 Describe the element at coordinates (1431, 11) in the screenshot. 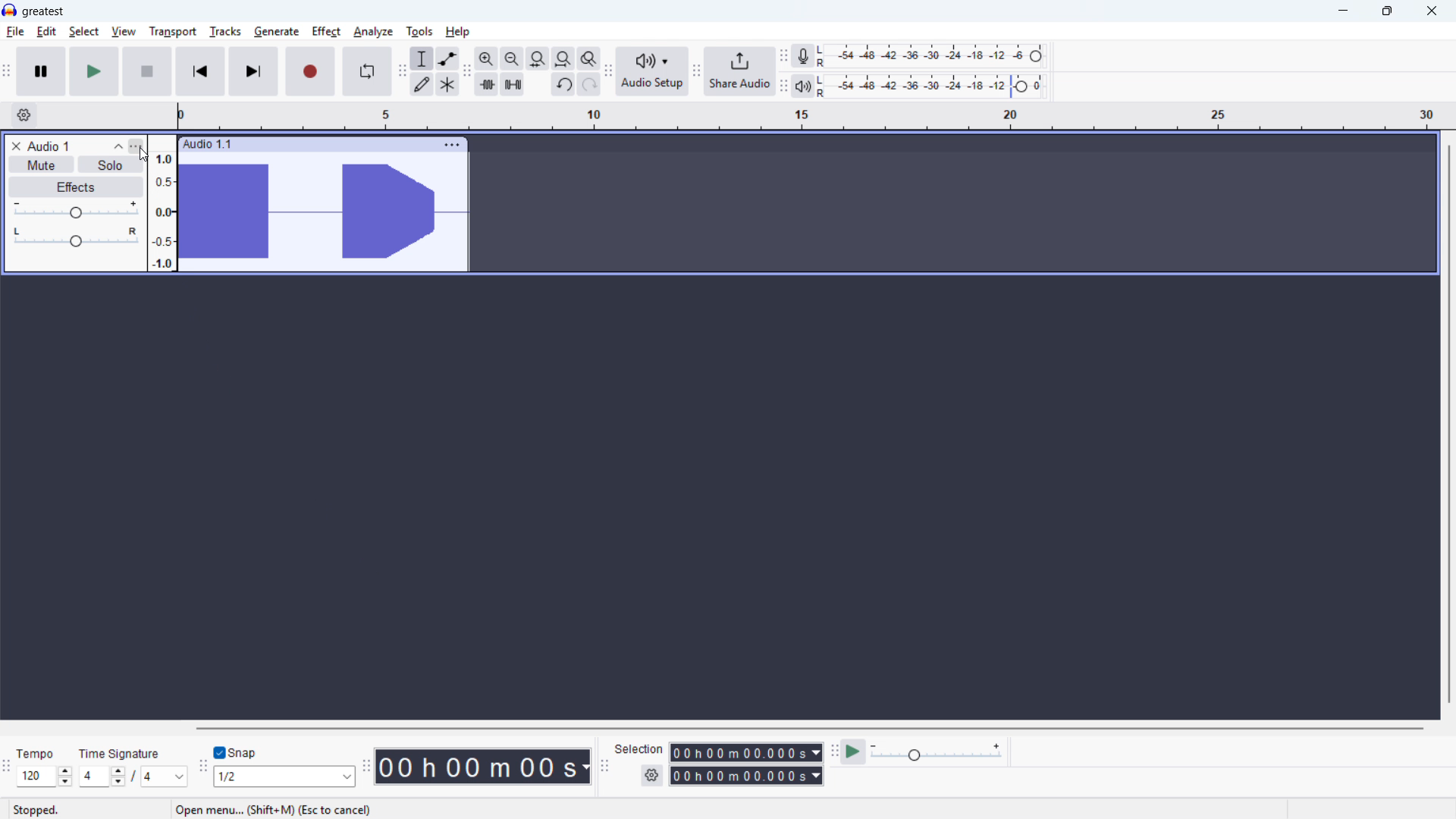

I see `close ` at that location.